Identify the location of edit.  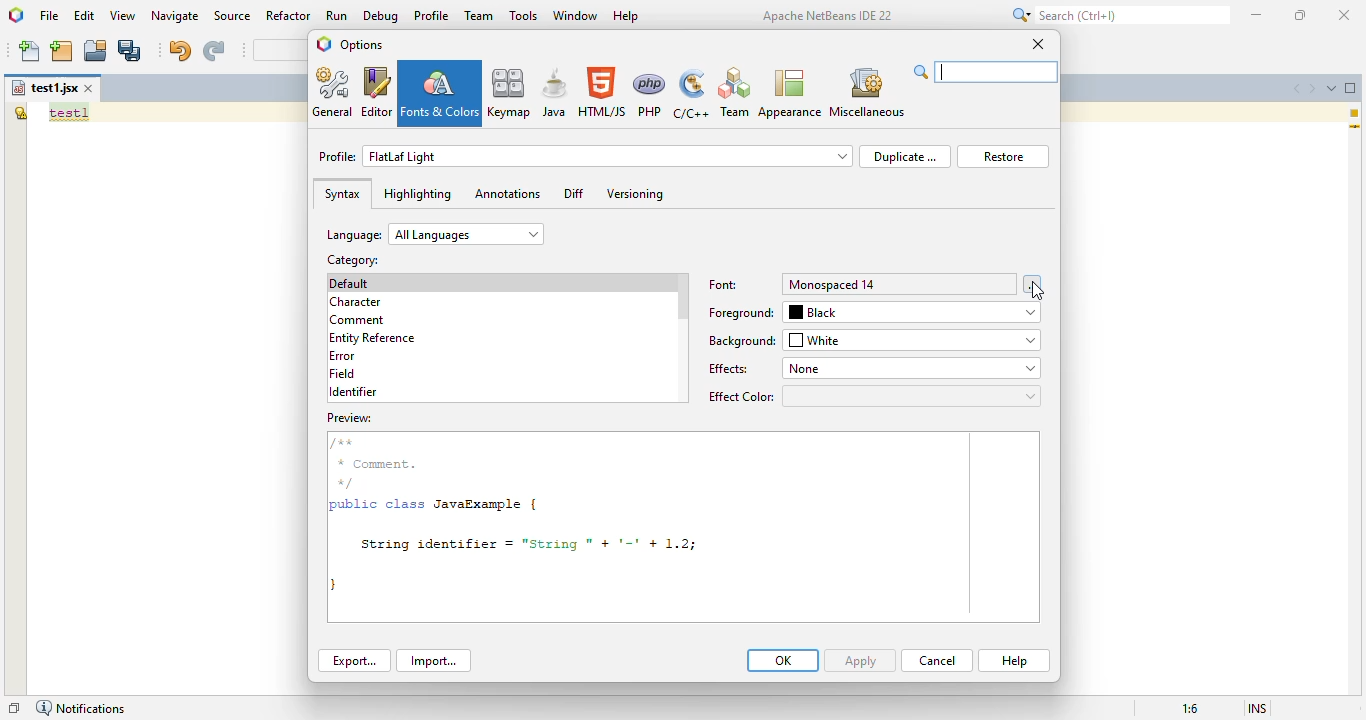
(85, 15).